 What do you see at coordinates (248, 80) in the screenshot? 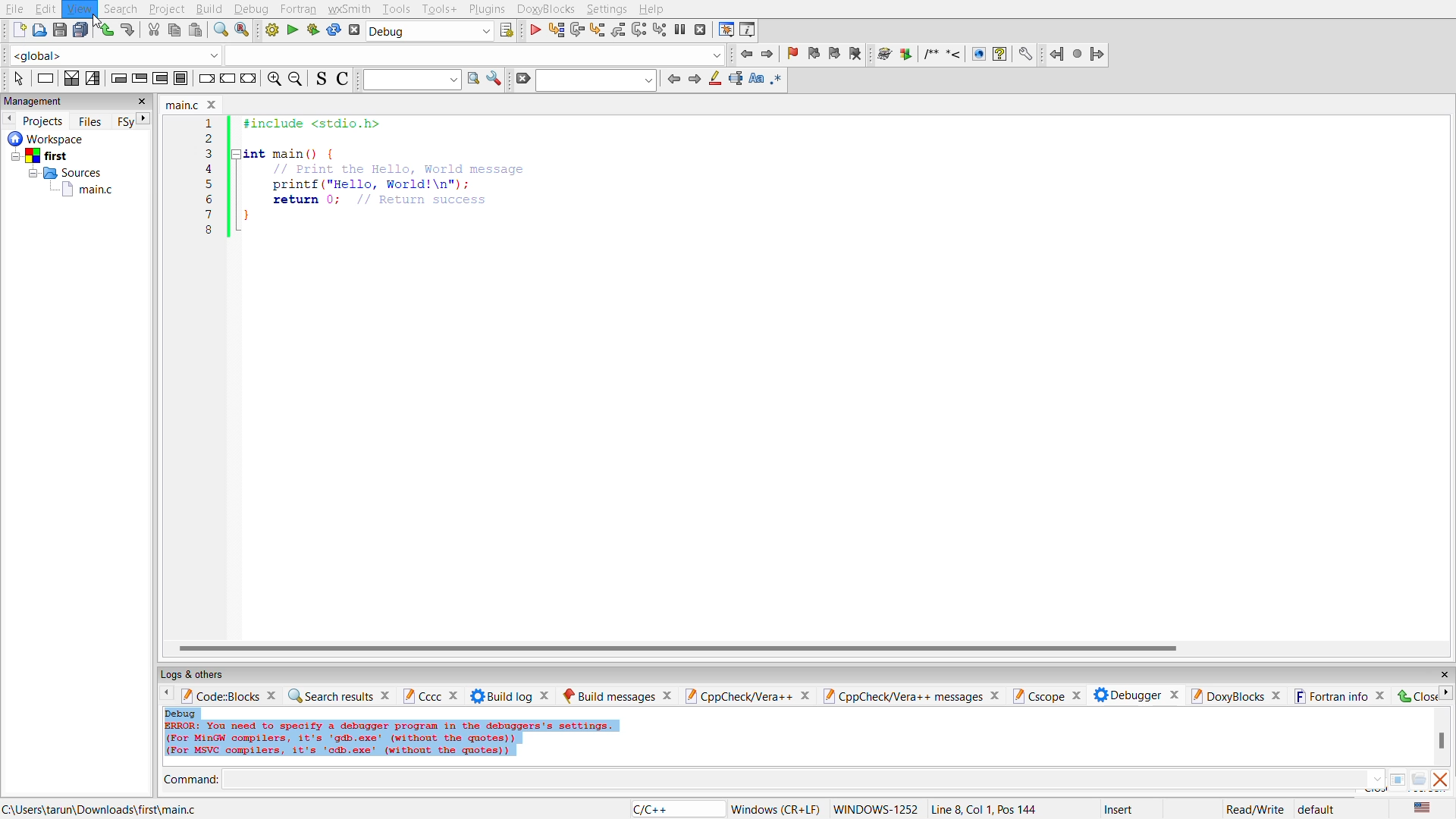
I see `return instruction` at bounding box center [248, 80].